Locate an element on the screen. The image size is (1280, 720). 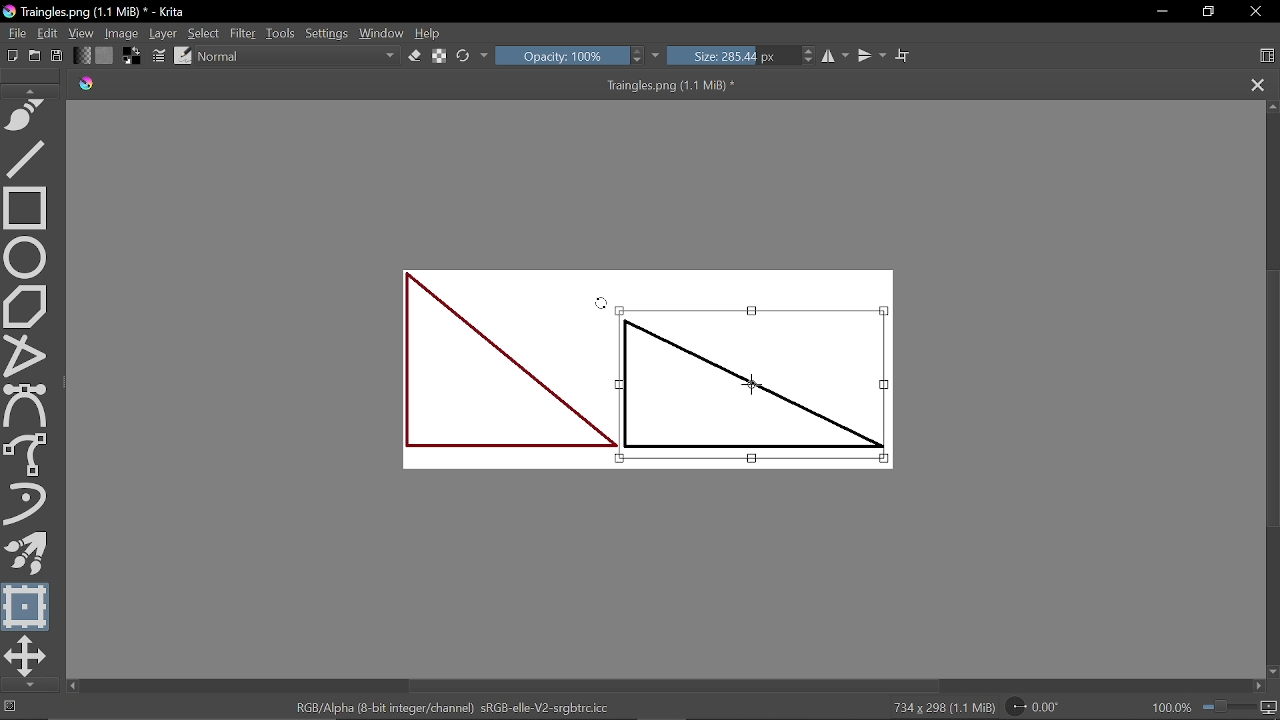
734 x 298 (1.1 MiB) is located at coordinates (938, 708).